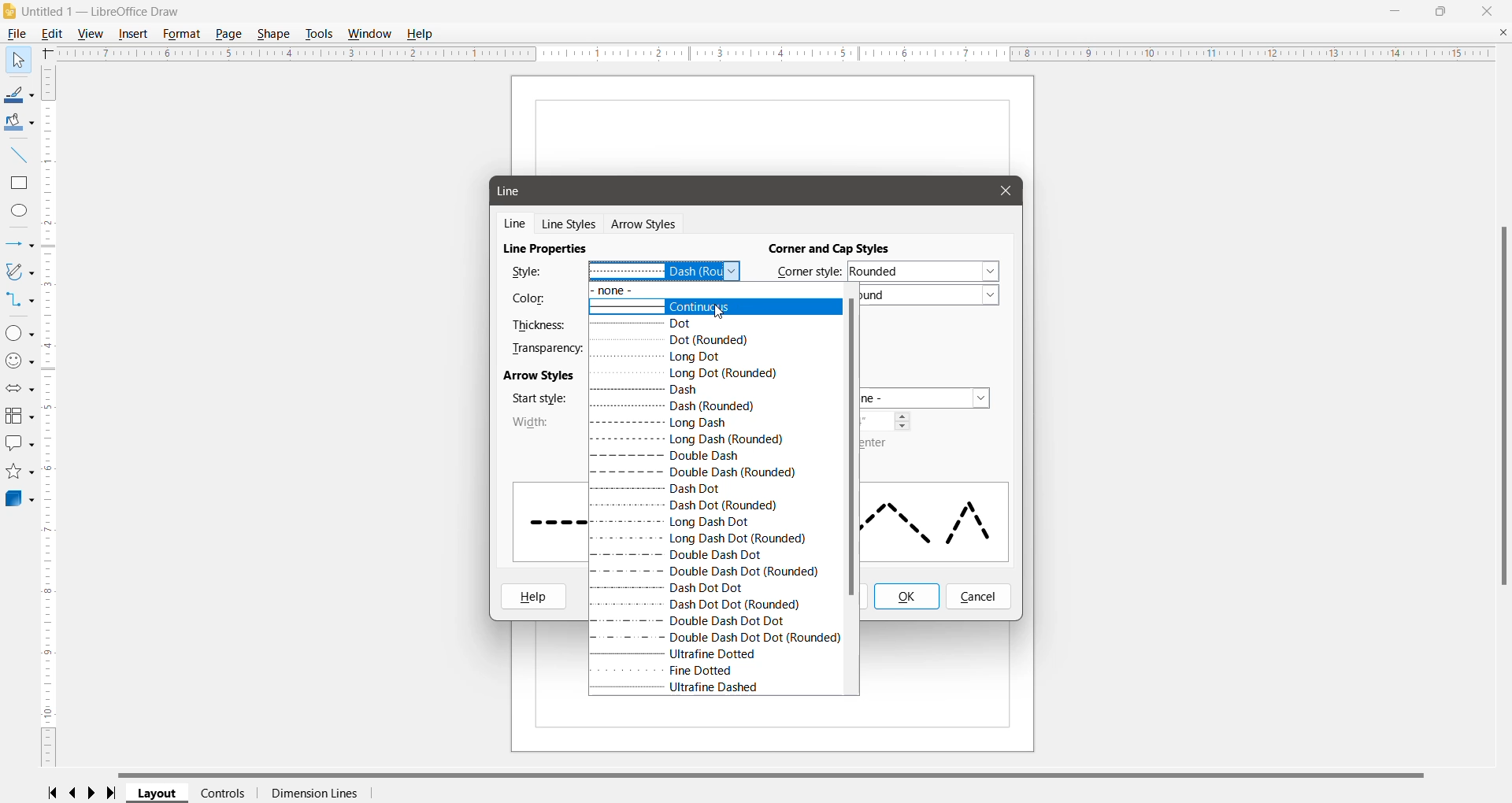  Describe the element at coordinates (16, 35) in the screenshot. I see `File` at that location.